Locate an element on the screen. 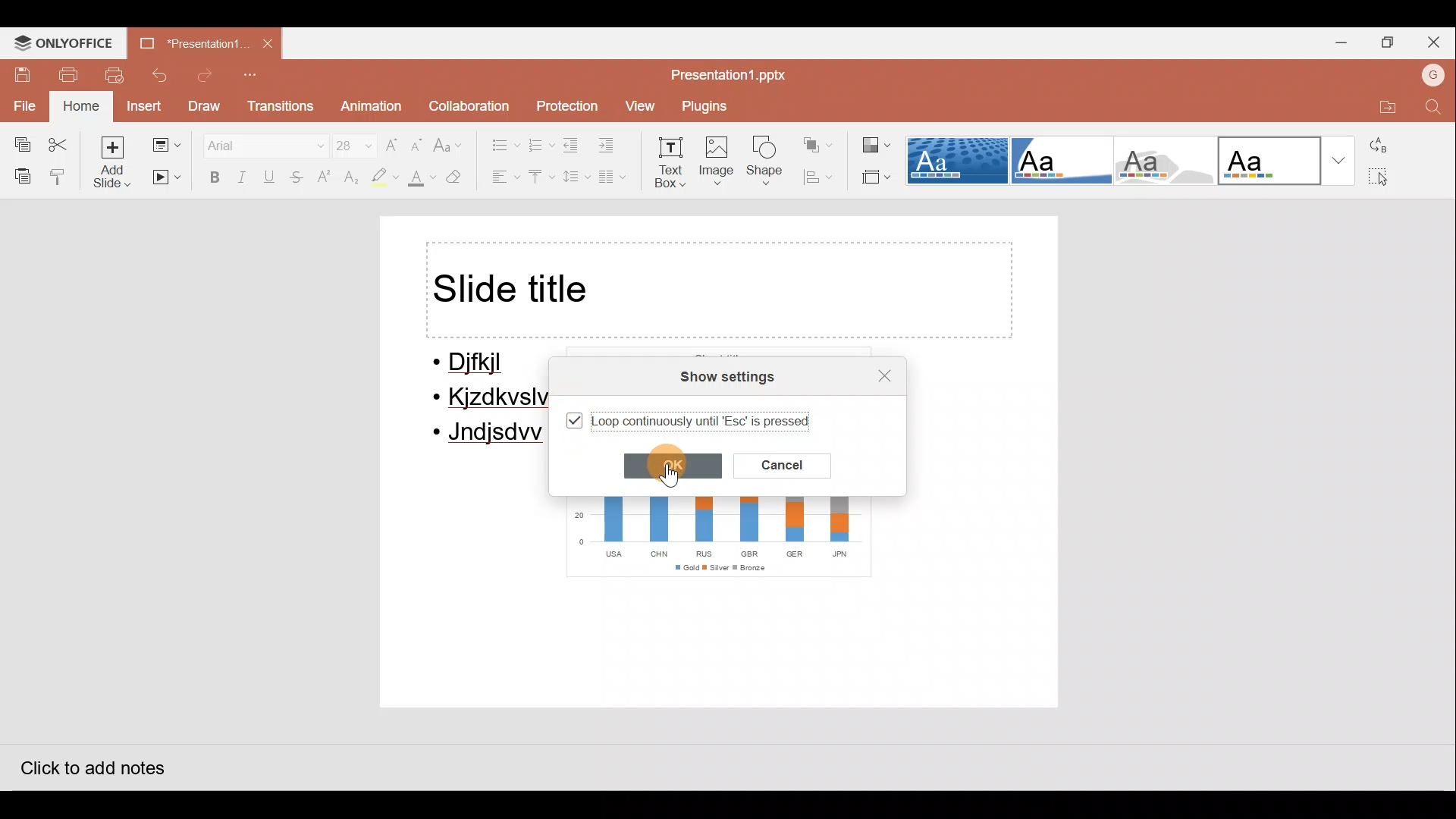 This screenshot has height=819, width=1456. Draw is located at coordinates (203, 111).